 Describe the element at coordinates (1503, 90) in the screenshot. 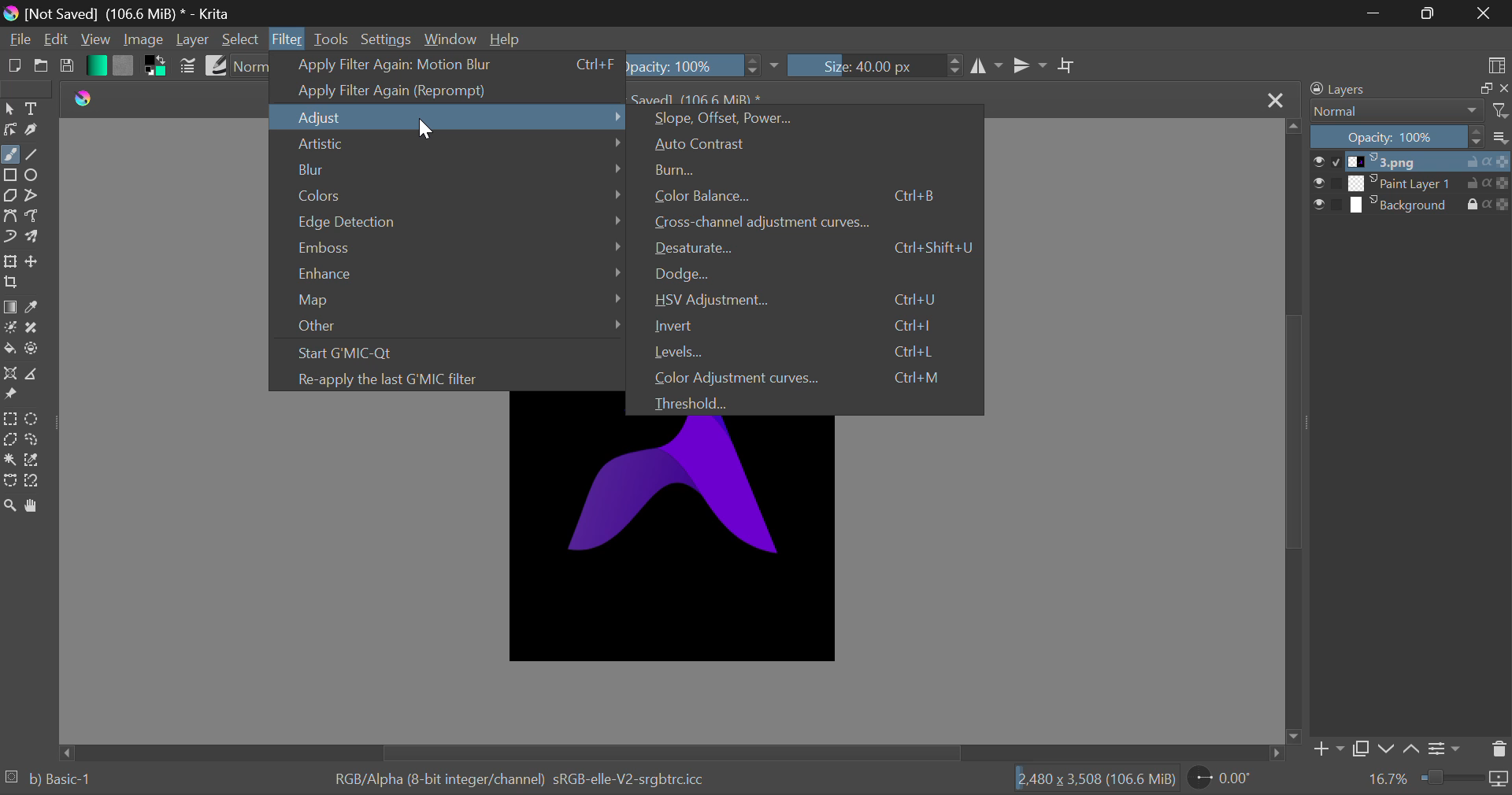

I see `close` at that location.